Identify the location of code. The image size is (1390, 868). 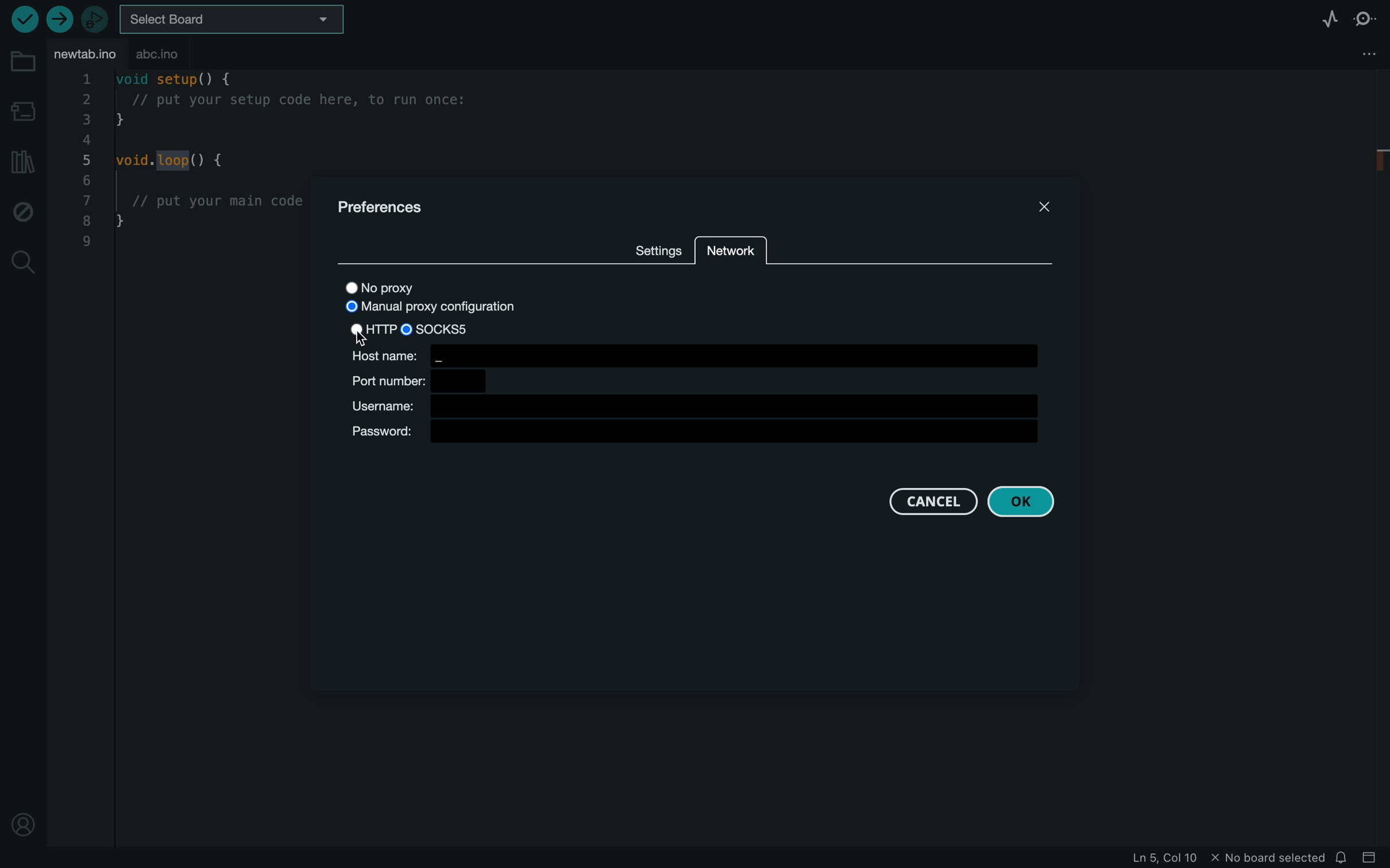
(182, 177).